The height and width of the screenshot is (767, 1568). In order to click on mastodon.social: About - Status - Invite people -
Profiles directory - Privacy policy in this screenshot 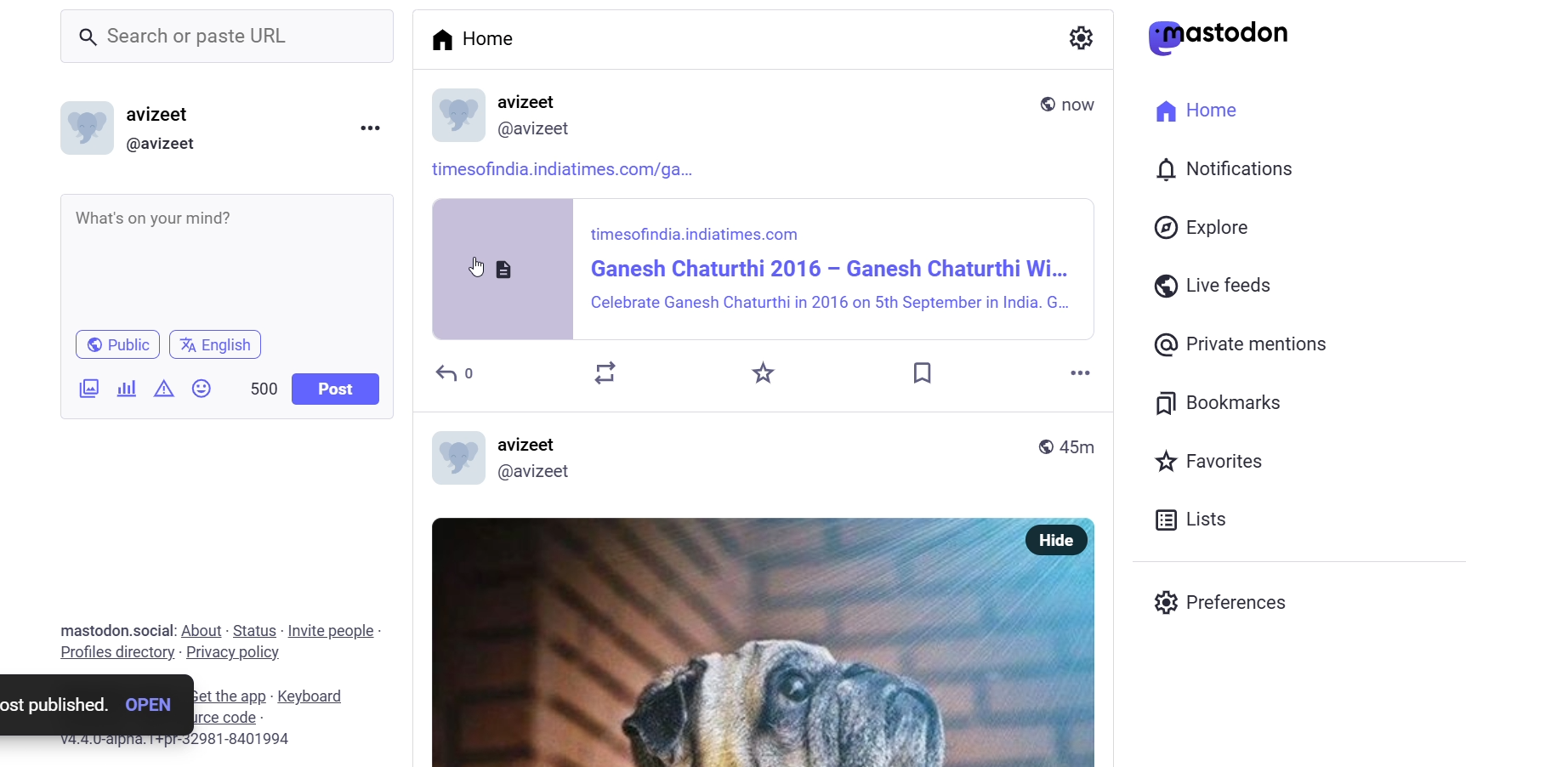, I will do `click(219, 642)`.